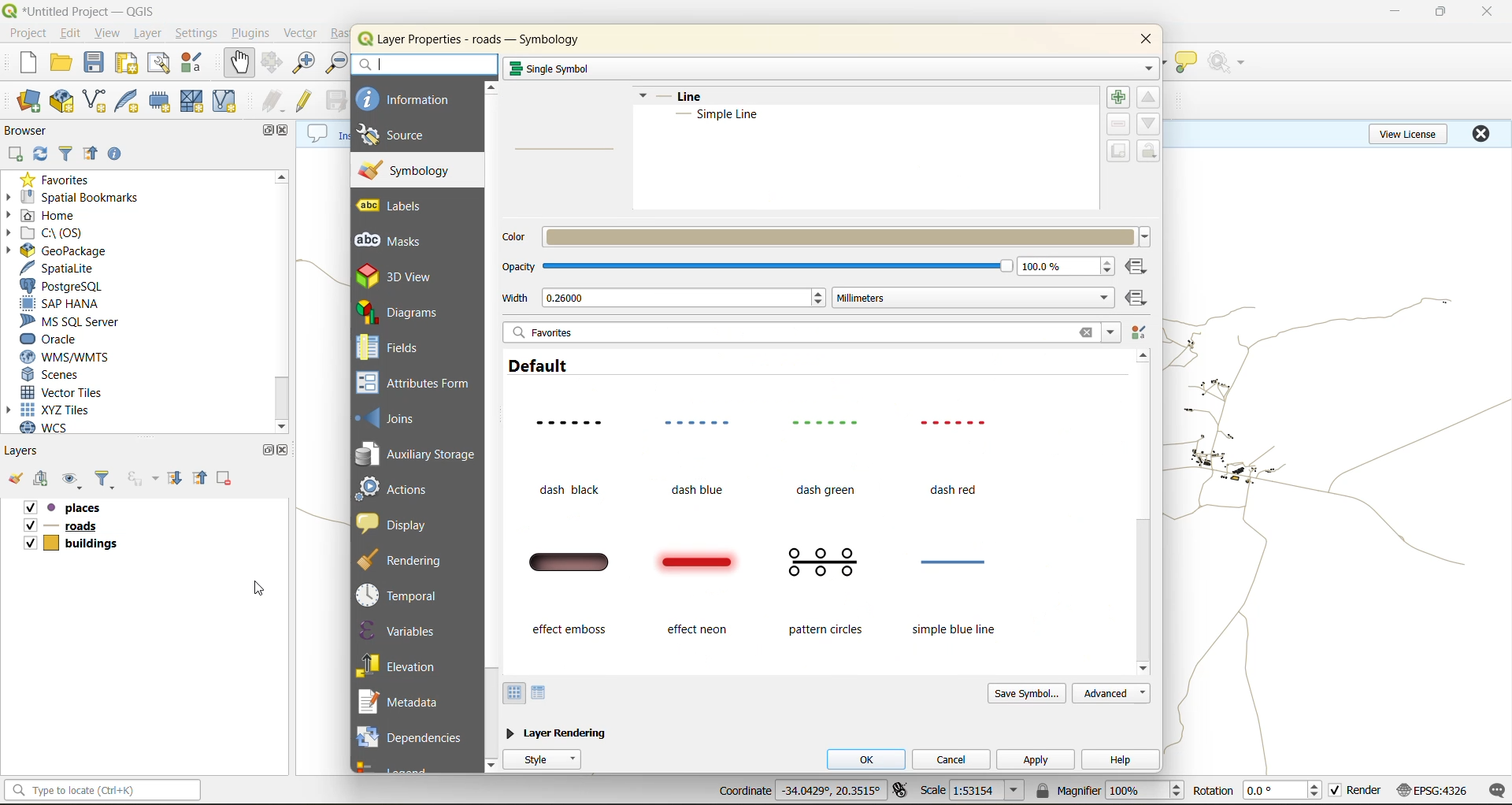 Image resolution: width=1512 pixels, height=805 pixels. I want to click on data defined override, so click(1136, 286).